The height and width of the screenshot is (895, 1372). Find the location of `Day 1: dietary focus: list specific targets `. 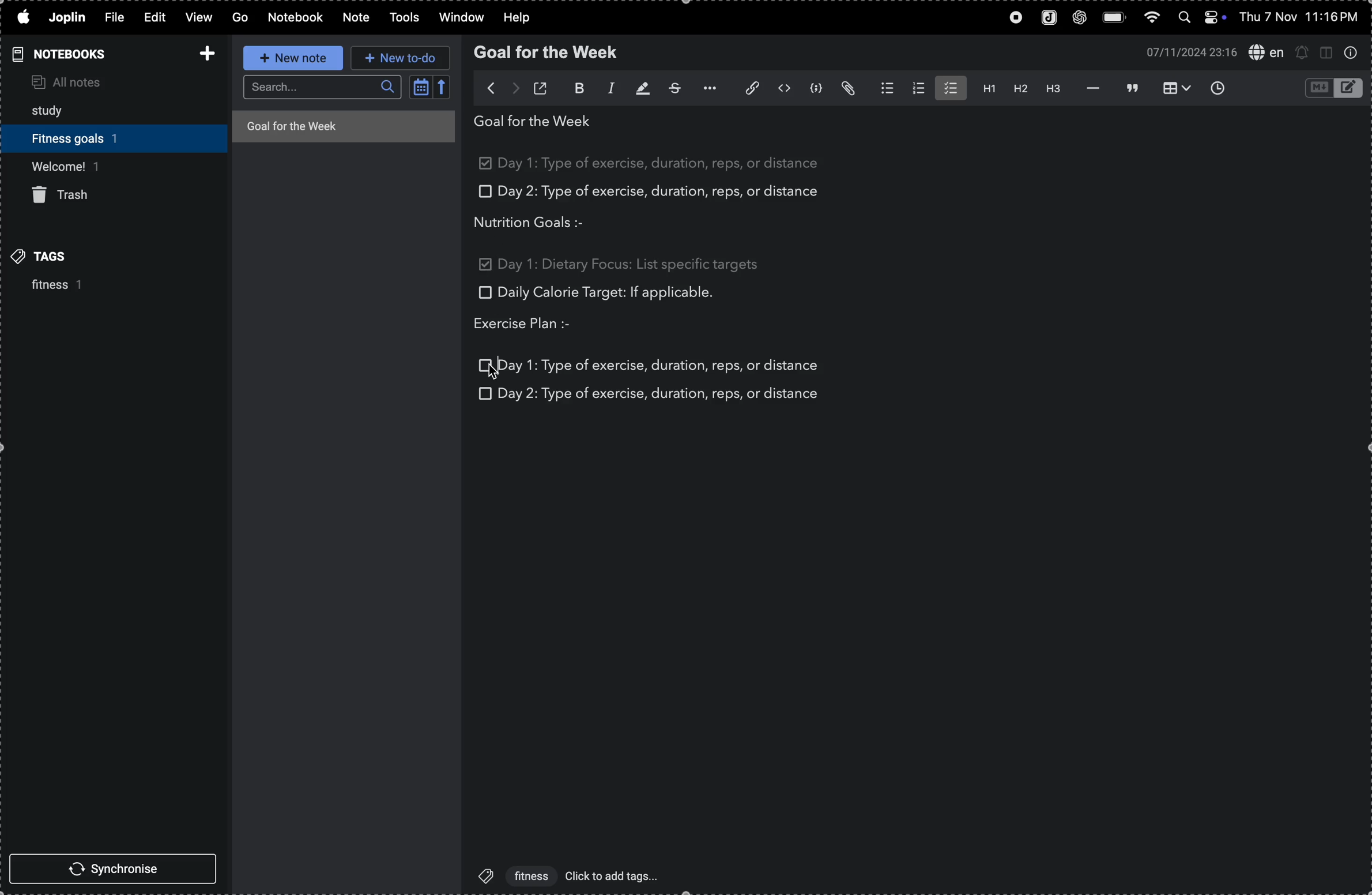

Day 1: dietary focus: list specific targets  is located at coordinates (630, 263).